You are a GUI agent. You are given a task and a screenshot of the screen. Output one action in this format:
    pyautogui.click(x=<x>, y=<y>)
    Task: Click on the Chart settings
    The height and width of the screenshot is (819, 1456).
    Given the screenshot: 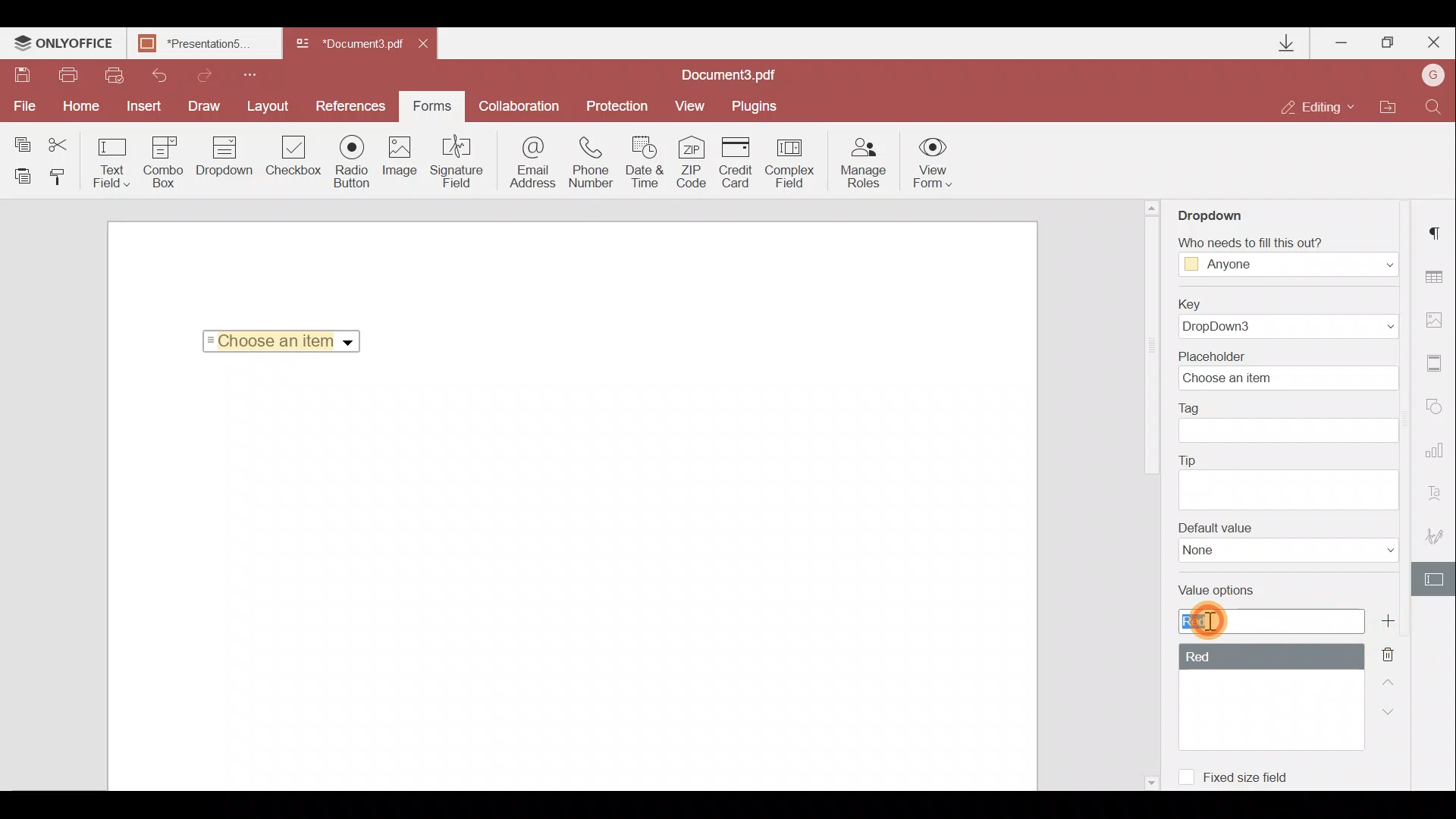 What is the action you would take?
    pyautogui.click(x=1438, y=450)
    